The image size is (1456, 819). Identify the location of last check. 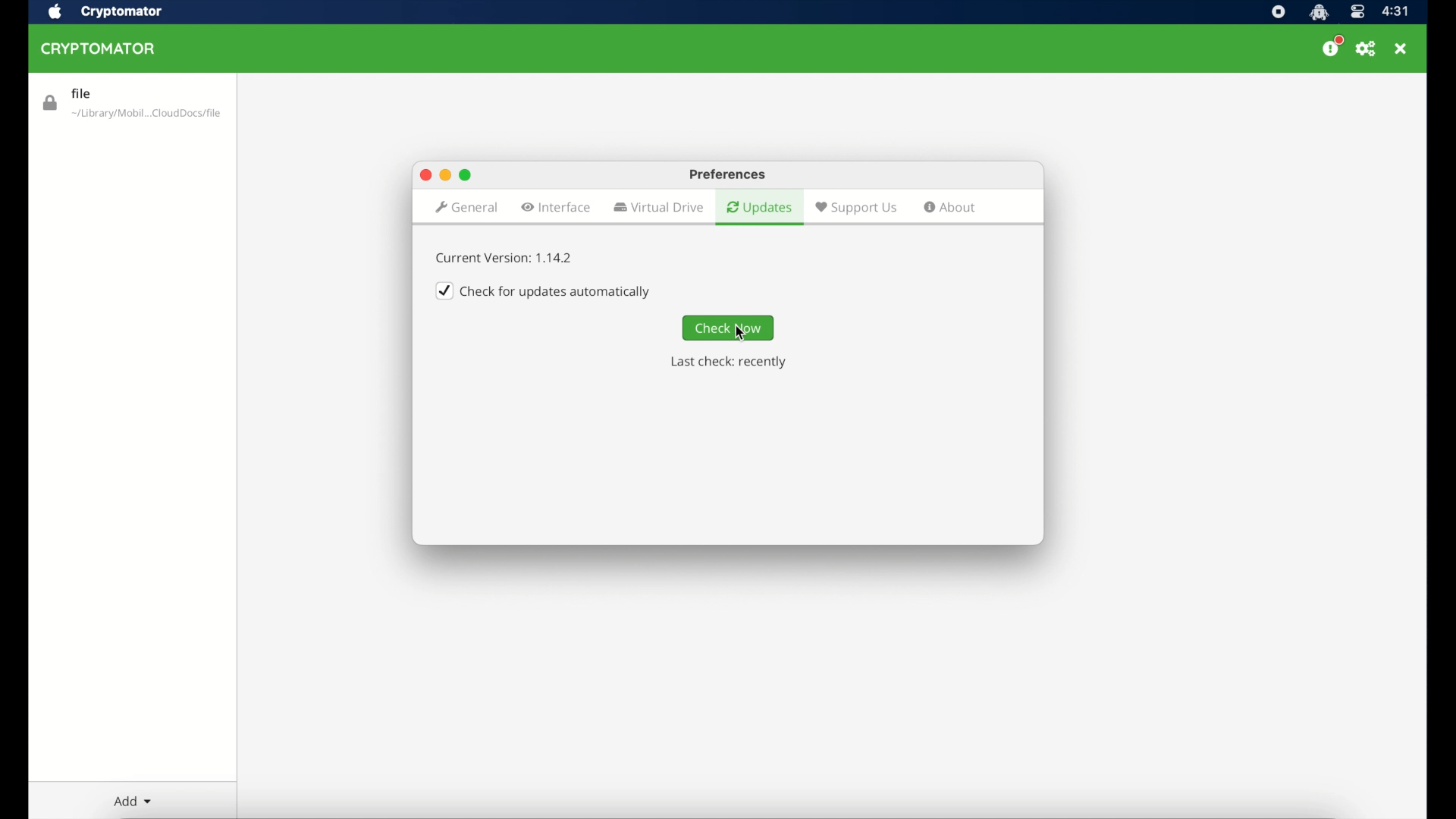
(727, 362).